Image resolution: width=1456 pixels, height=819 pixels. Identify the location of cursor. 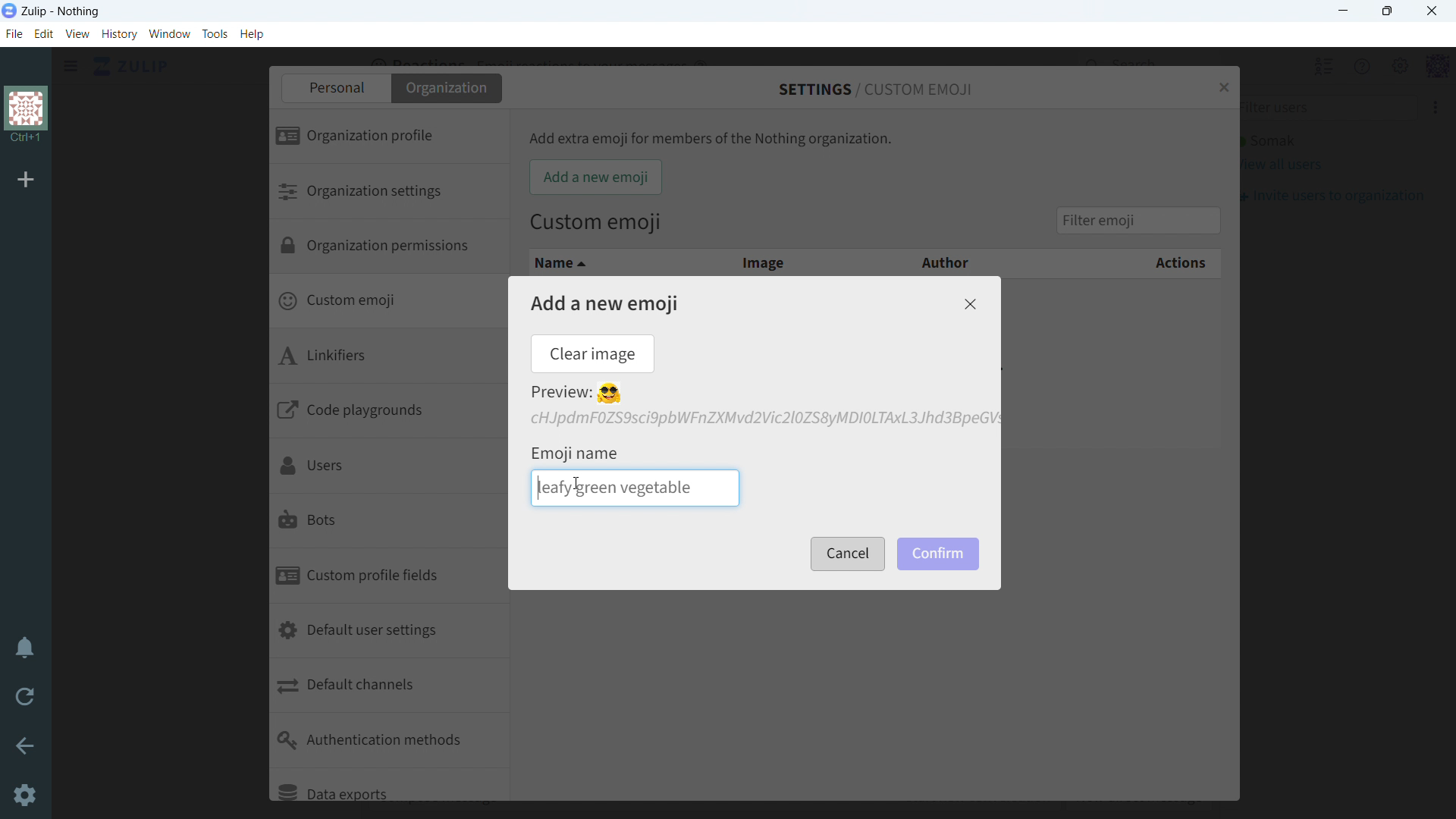
(578, 485).